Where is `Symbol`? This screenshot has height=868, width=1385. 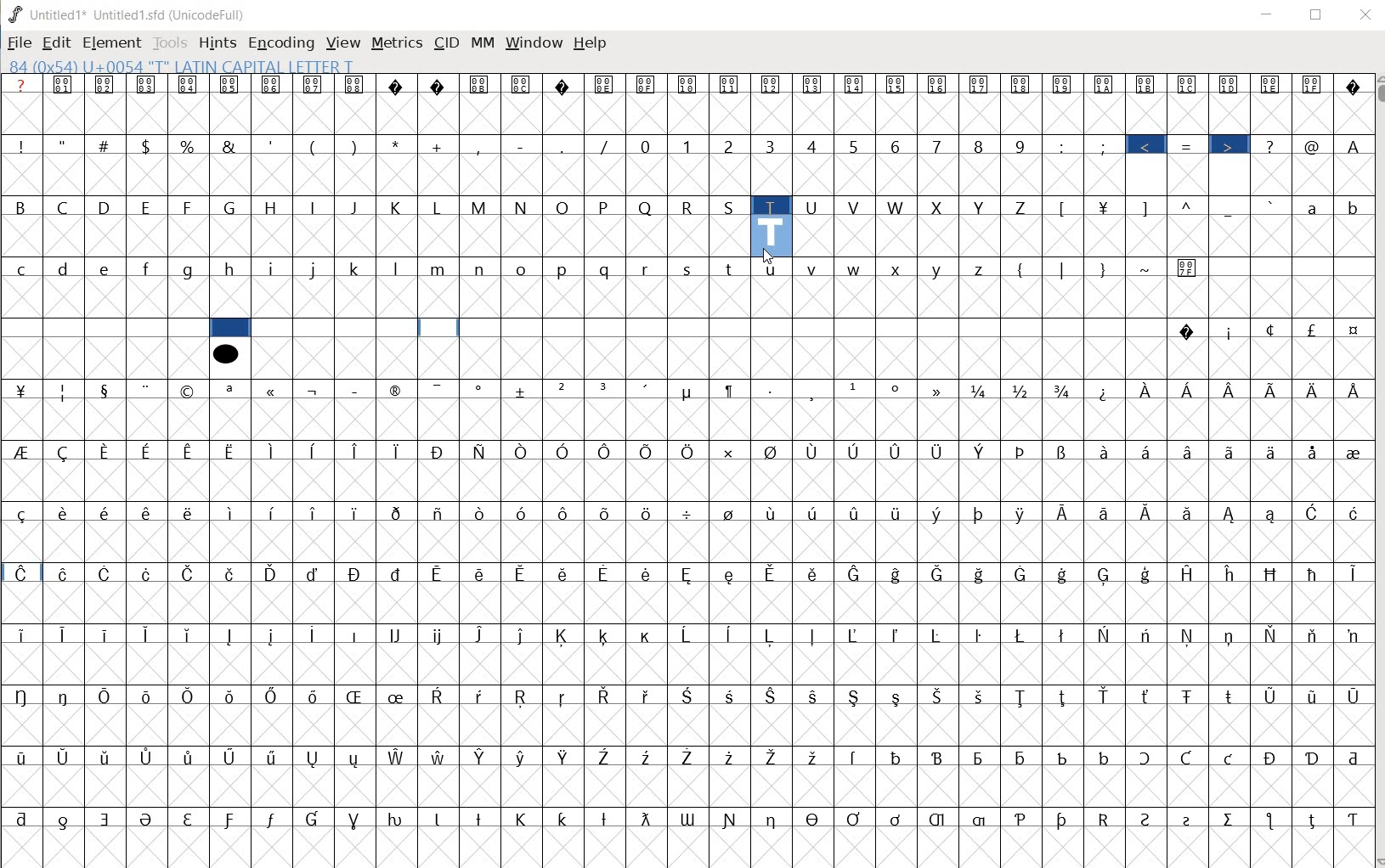 Symbol is located at coordinates (982, 757).